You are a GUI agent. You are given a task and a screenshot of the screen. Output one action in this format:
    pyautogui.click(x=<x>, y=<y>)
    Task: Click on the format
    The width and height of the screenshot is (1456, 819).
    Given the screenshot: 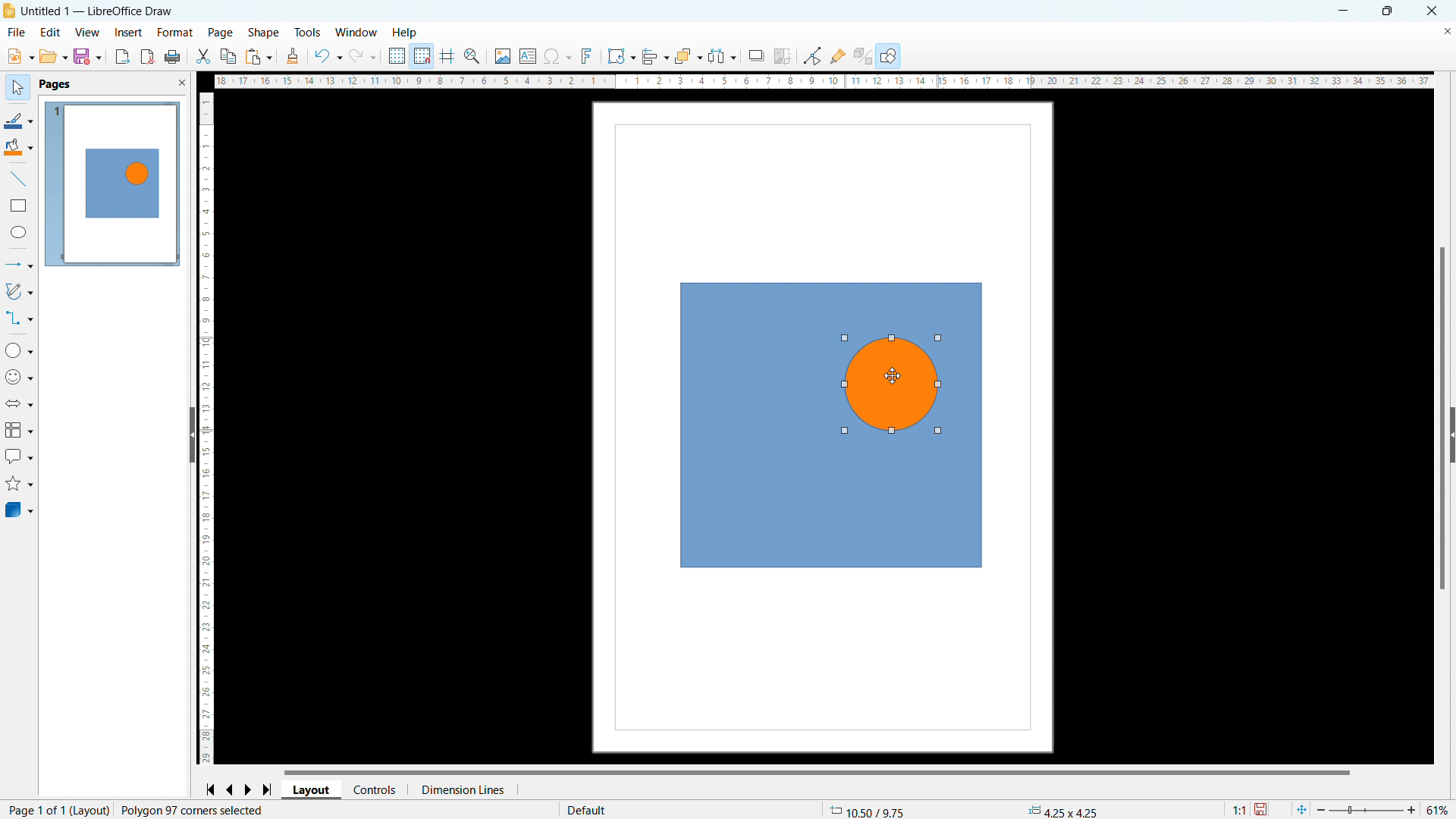 What is the action you would take?
    pyautogui.click(x=175, y=33)
    